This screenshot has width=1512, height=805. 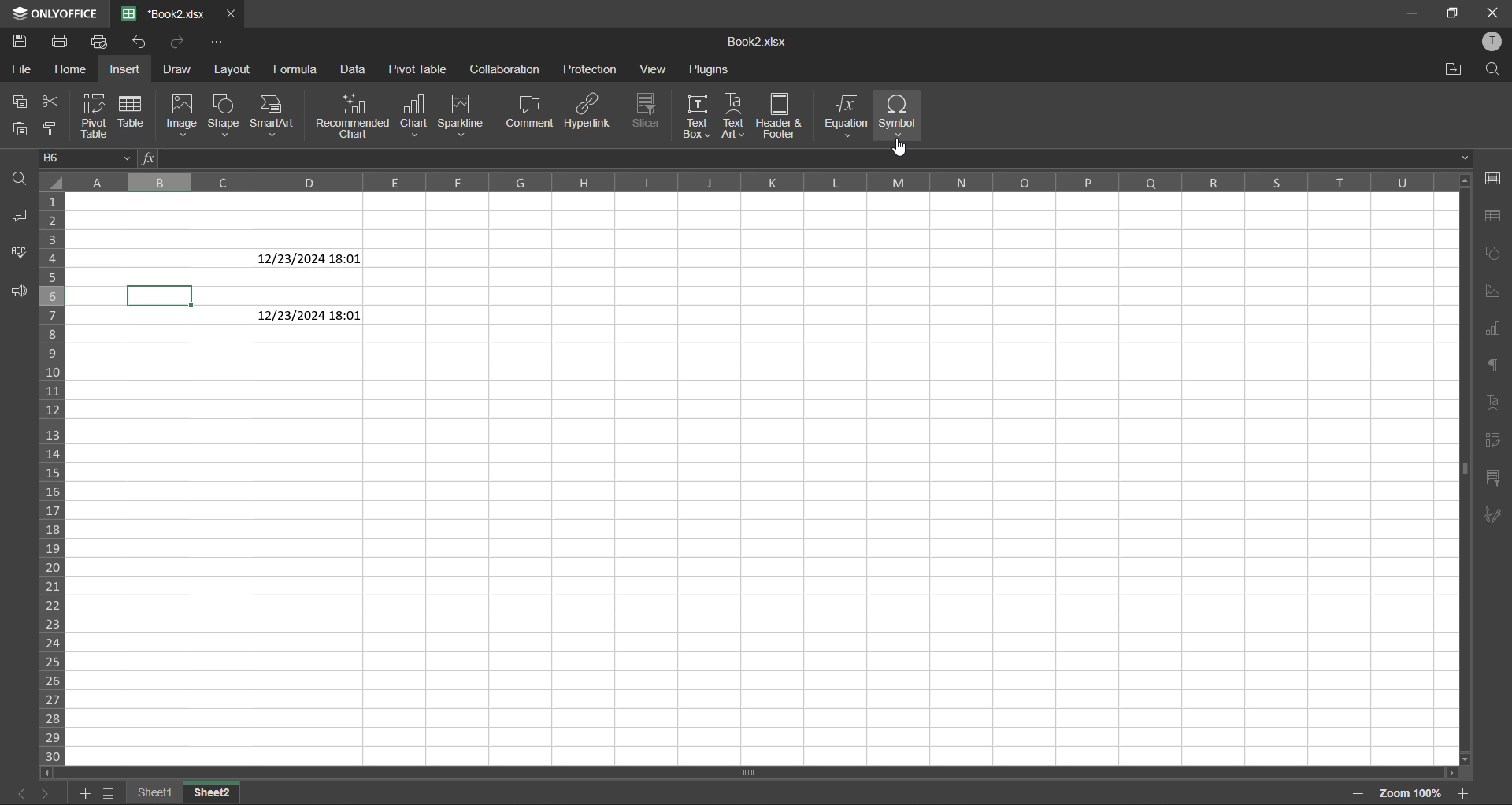 I want to click on slicer, so click(x=651, y=112).